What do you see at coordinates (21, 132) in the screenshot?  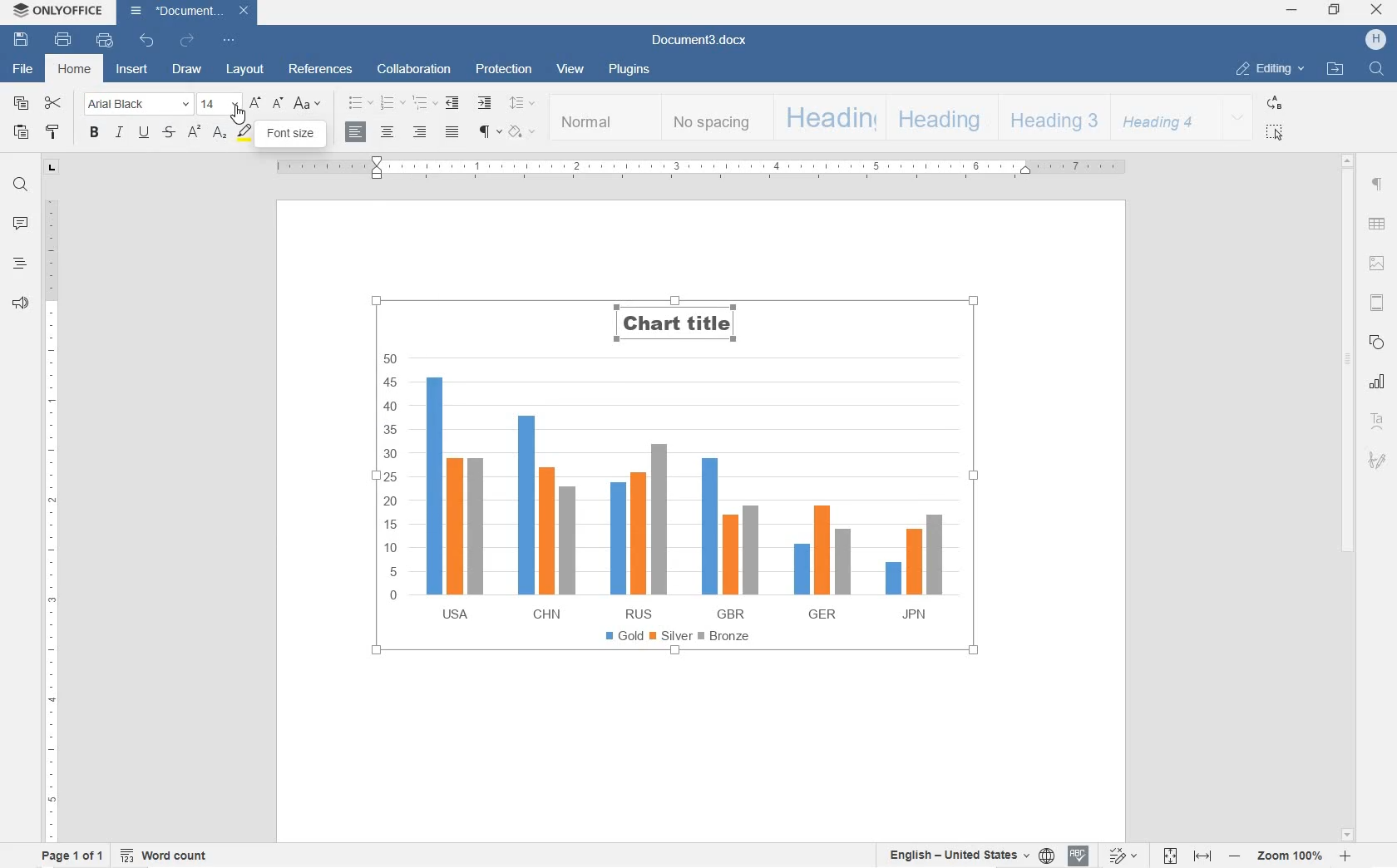 I see `PASTE` at bounding box center [21, 132].